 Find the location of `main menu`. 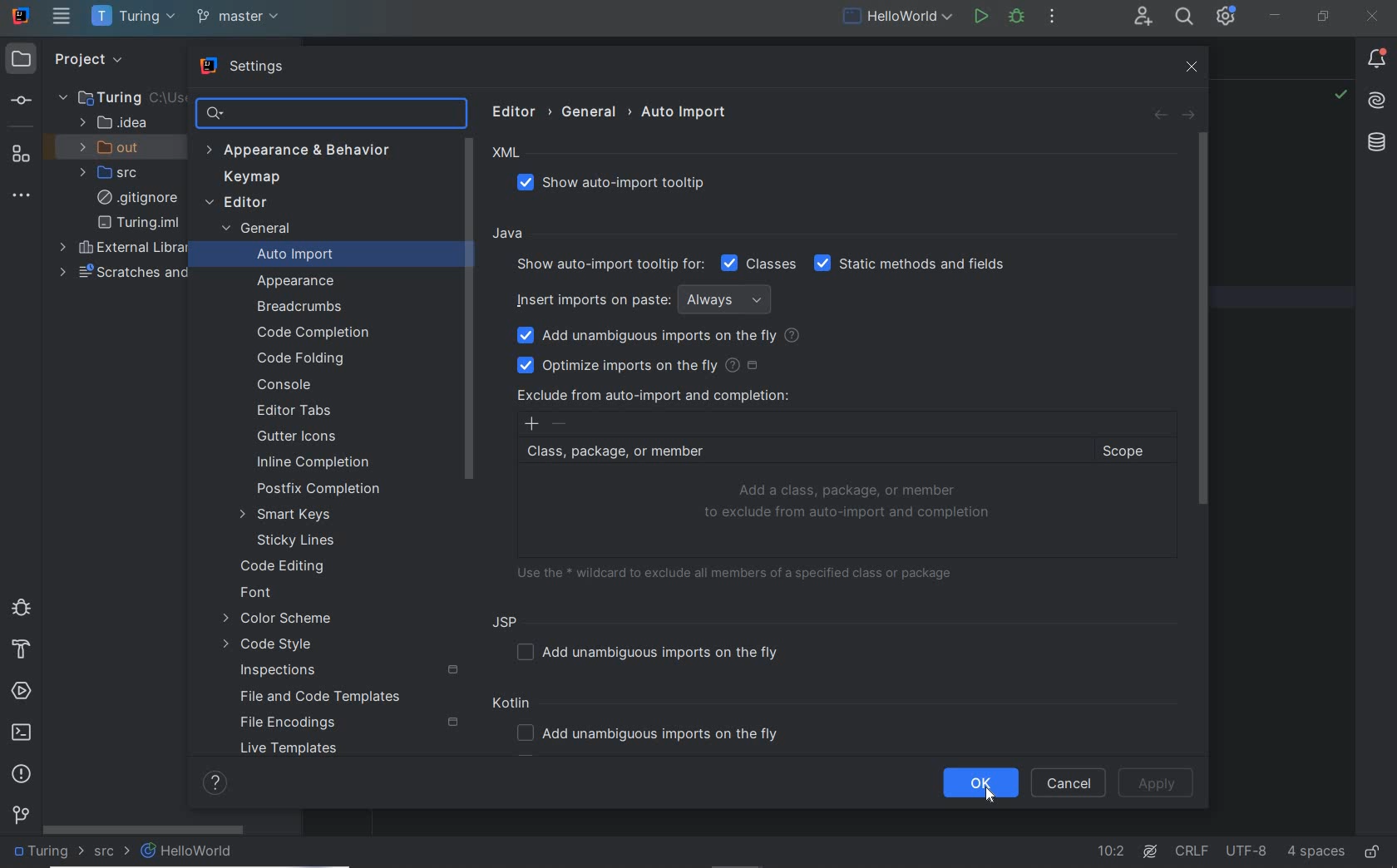

main menu is located at coordinates (62, 16).